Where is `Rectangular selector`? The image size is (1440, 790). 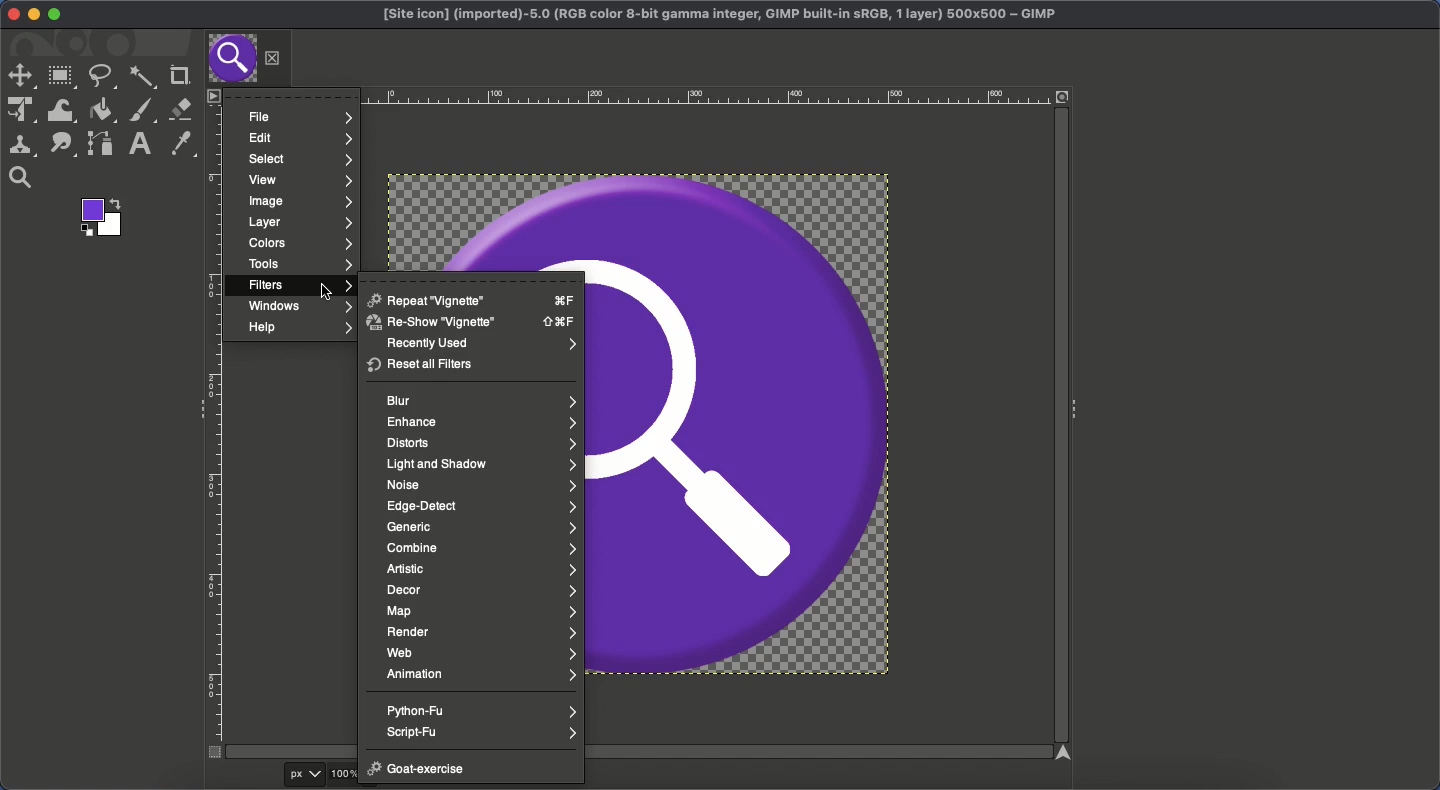 Rectangular selector is located at coordinates (62, 78).